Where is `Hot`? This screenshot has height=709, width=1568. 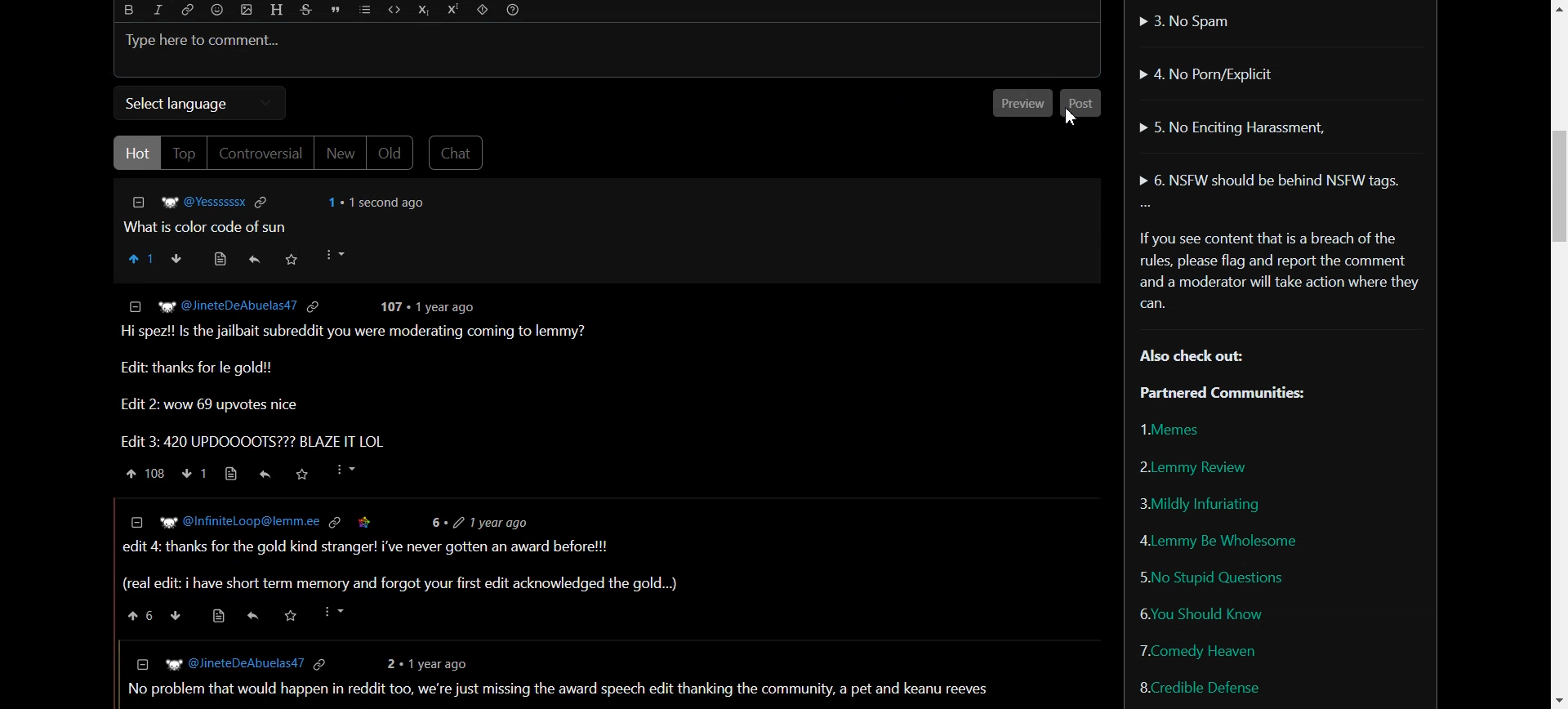 Hot is located at coordinates (134, 153).